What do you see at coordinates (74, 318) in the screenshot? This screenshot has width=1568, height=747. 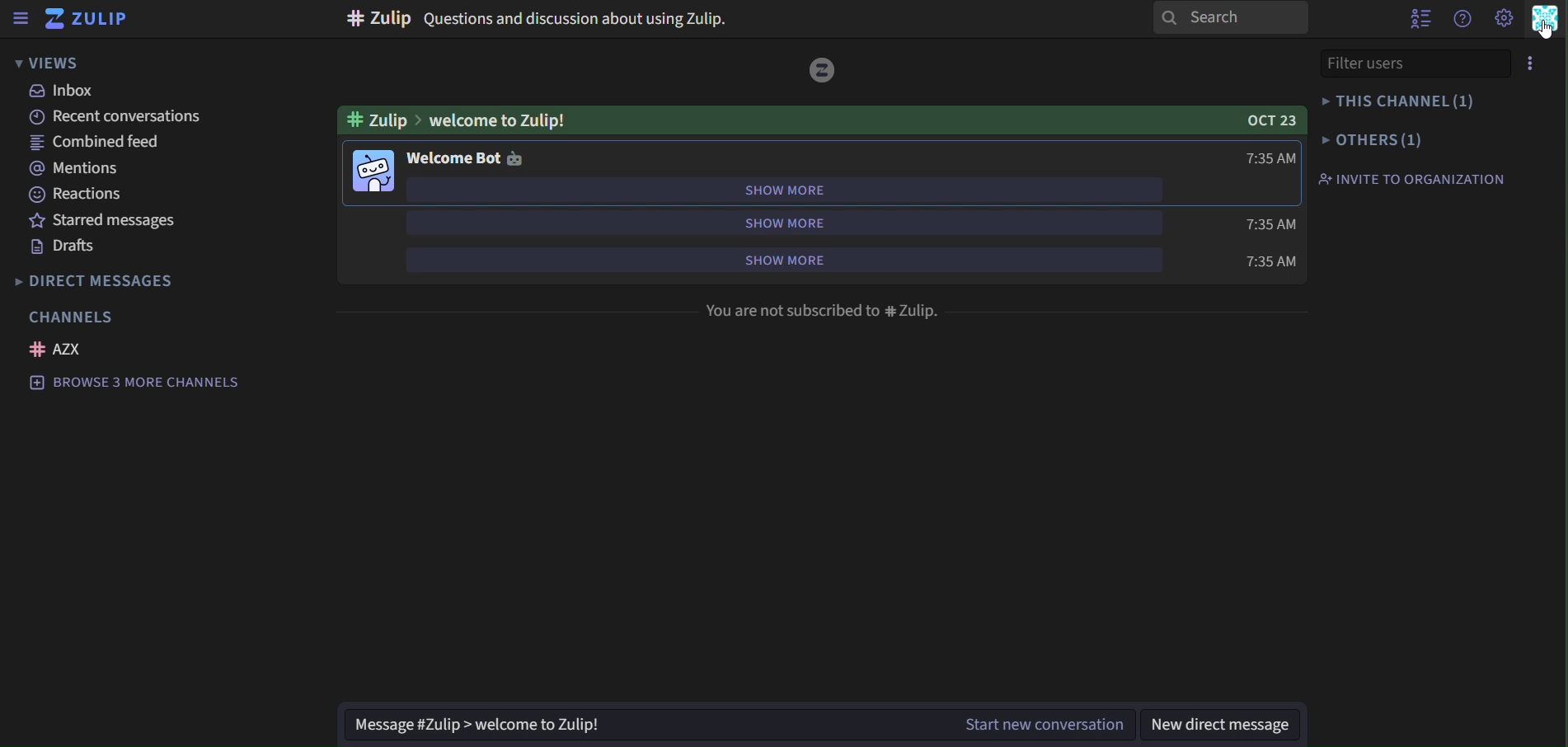 I see `channels` at bounding box center [74, 318].